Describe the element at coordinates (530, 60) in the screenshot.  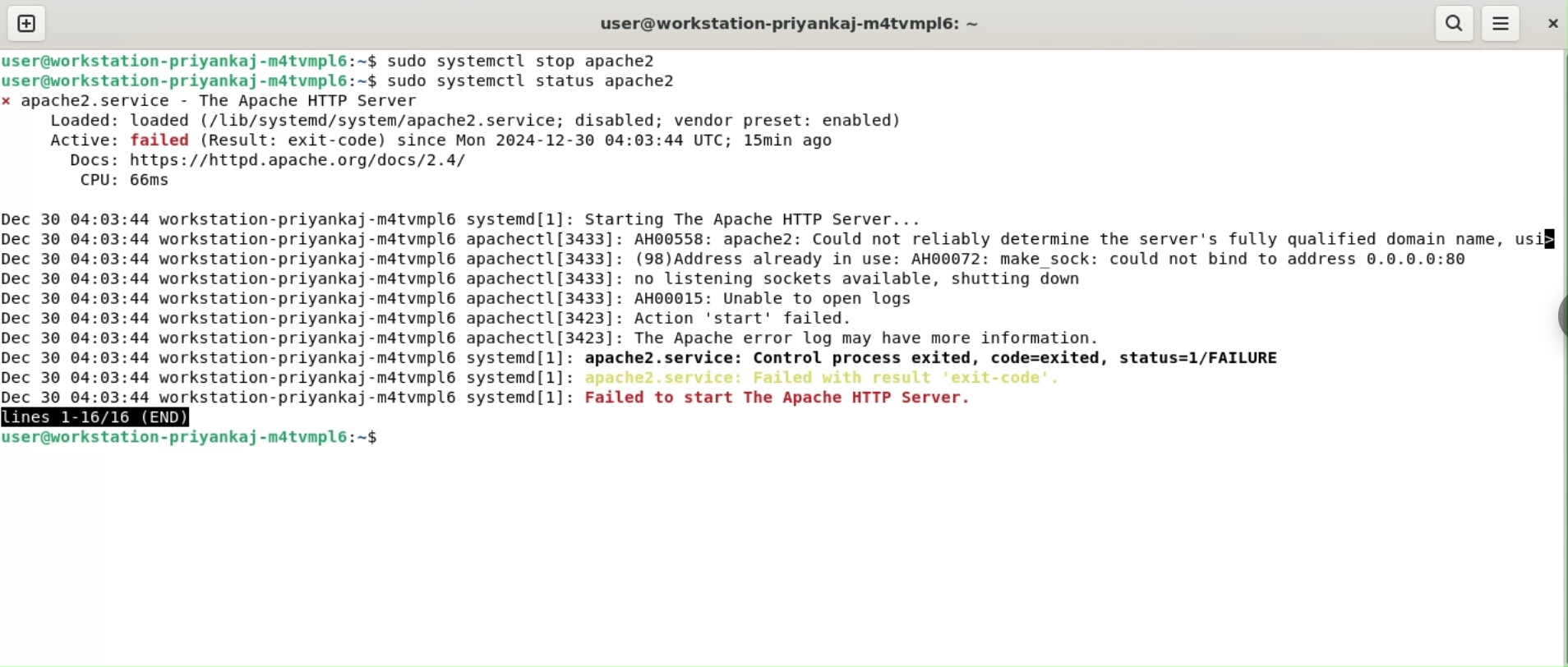
I see `sudo systemctl stop apache2` at that location.